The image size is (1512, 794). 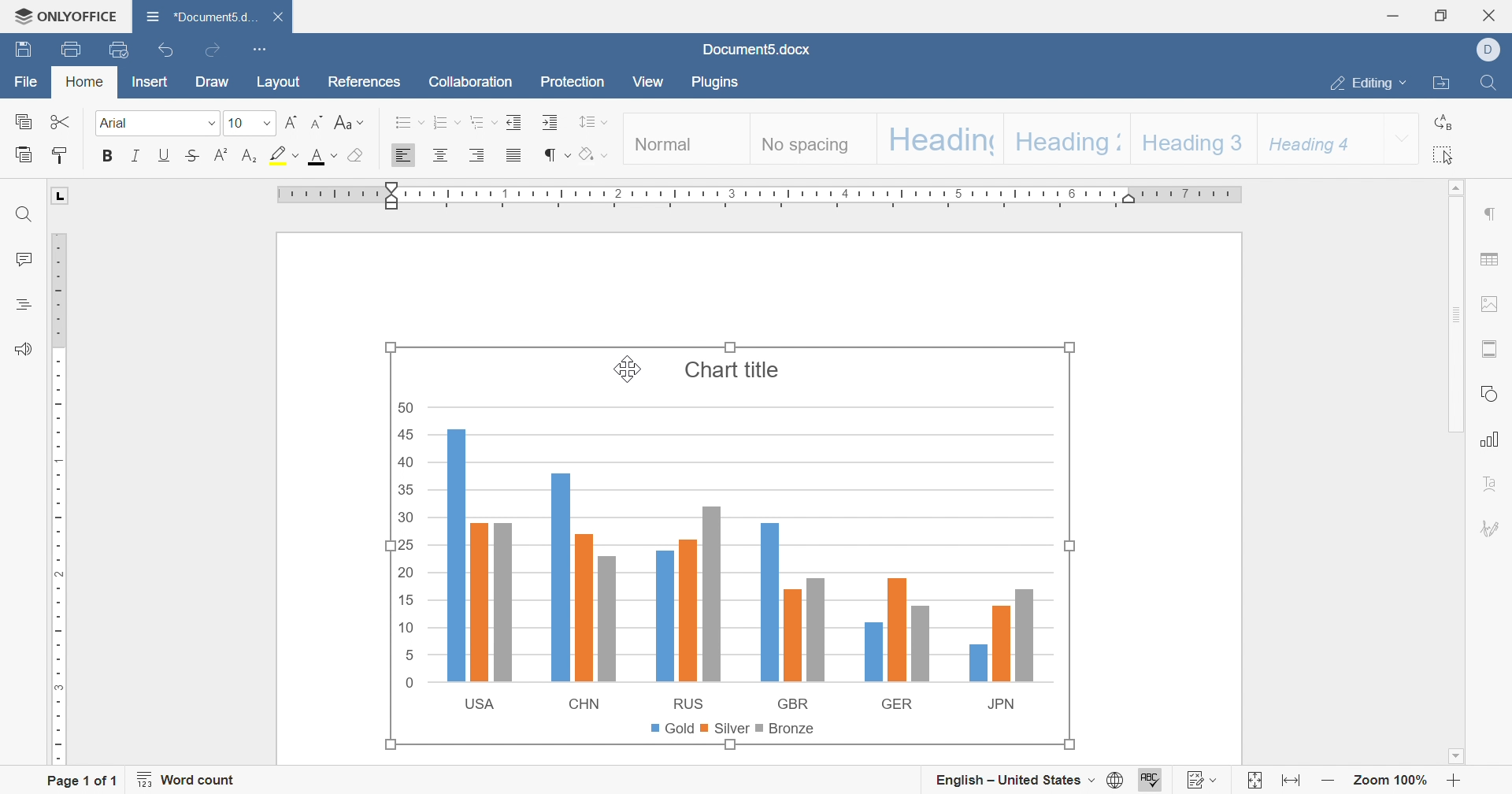 I want to click on italic, so click(x=135, y=156).